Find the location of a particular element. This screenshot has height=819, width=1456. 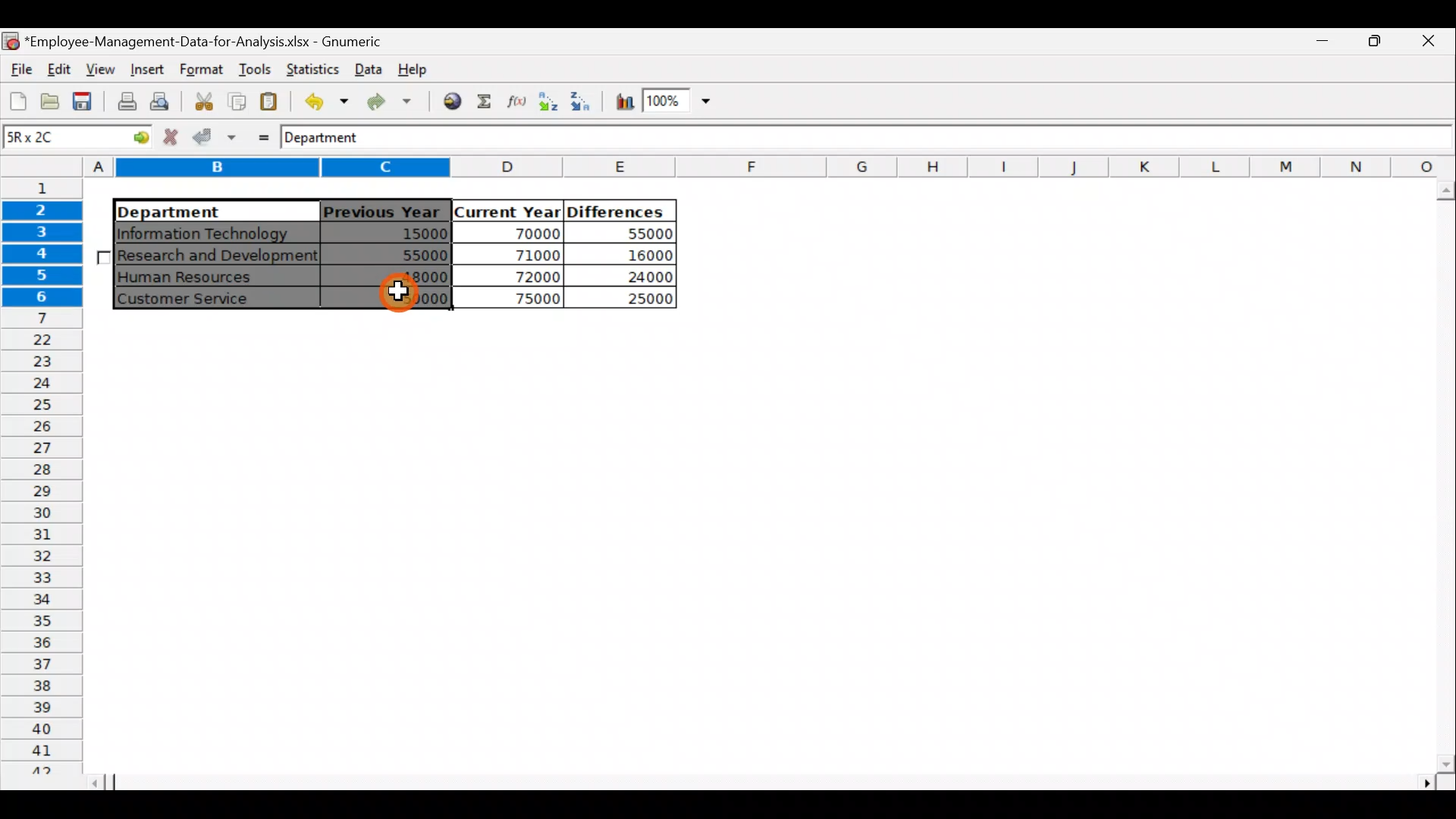

Open a file is located at coordinates (49, 104).